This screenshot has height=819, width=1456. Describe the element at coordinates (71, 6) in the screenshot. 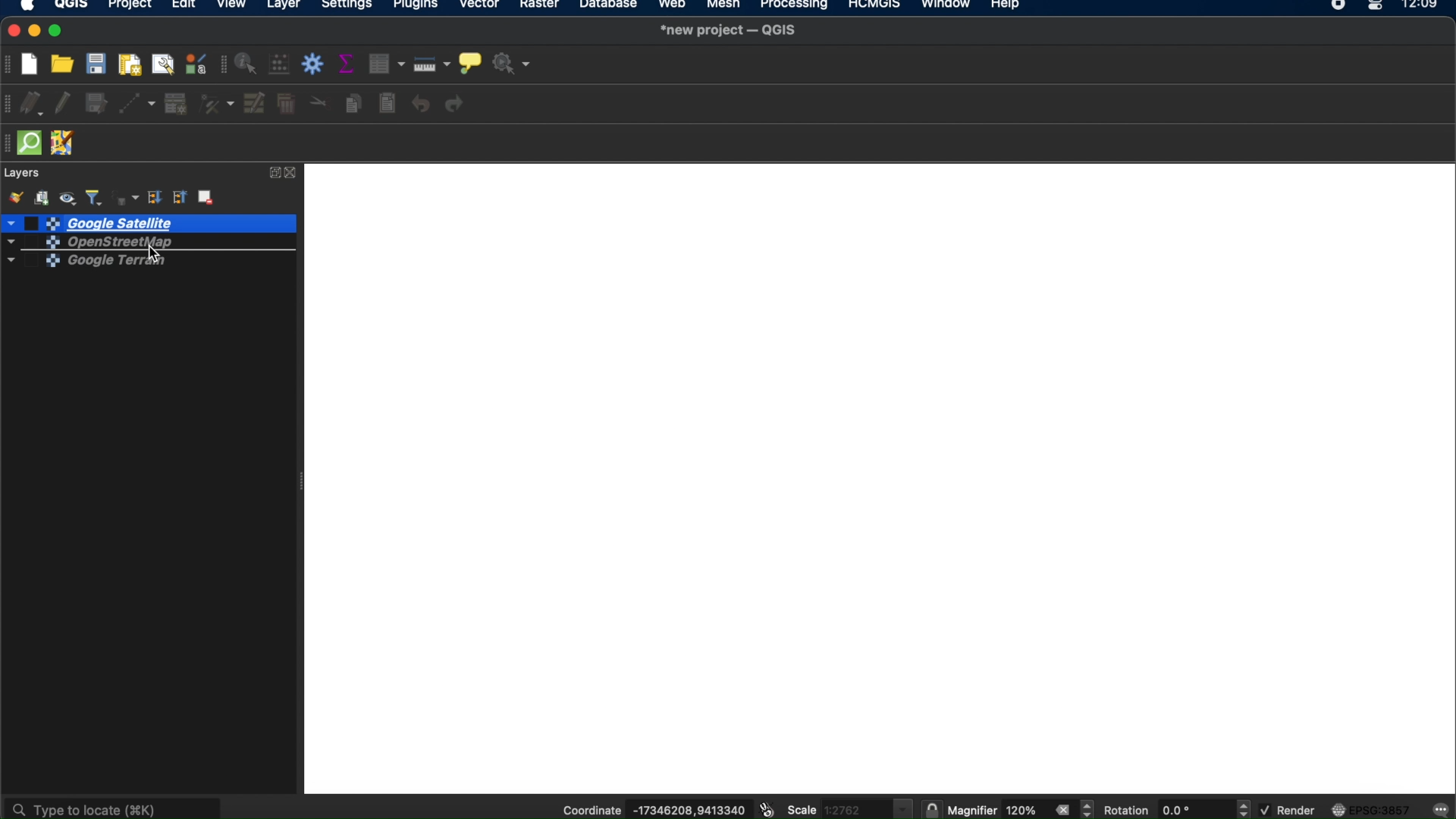

I see `QGIS` at that location.